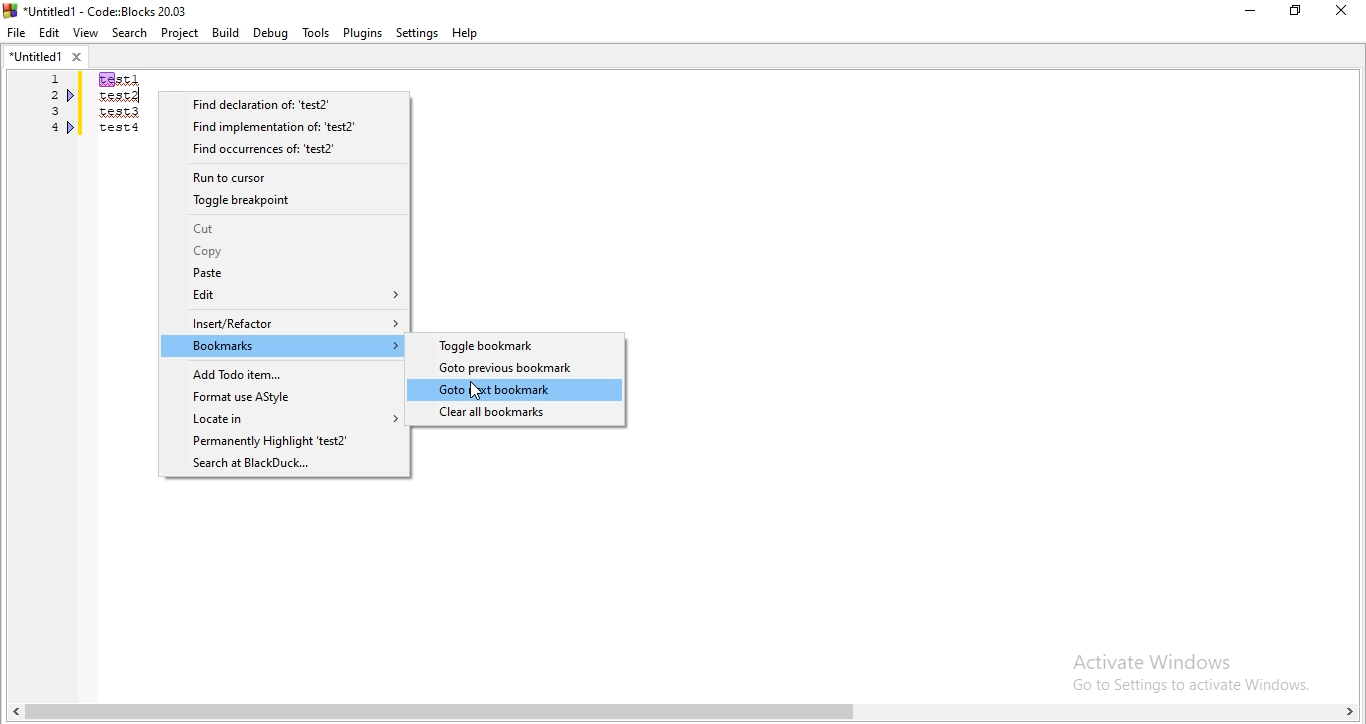 Image resolution: width=1366 pixels, height=724 pixels. I want to click on Cursor, so click(472, 391).